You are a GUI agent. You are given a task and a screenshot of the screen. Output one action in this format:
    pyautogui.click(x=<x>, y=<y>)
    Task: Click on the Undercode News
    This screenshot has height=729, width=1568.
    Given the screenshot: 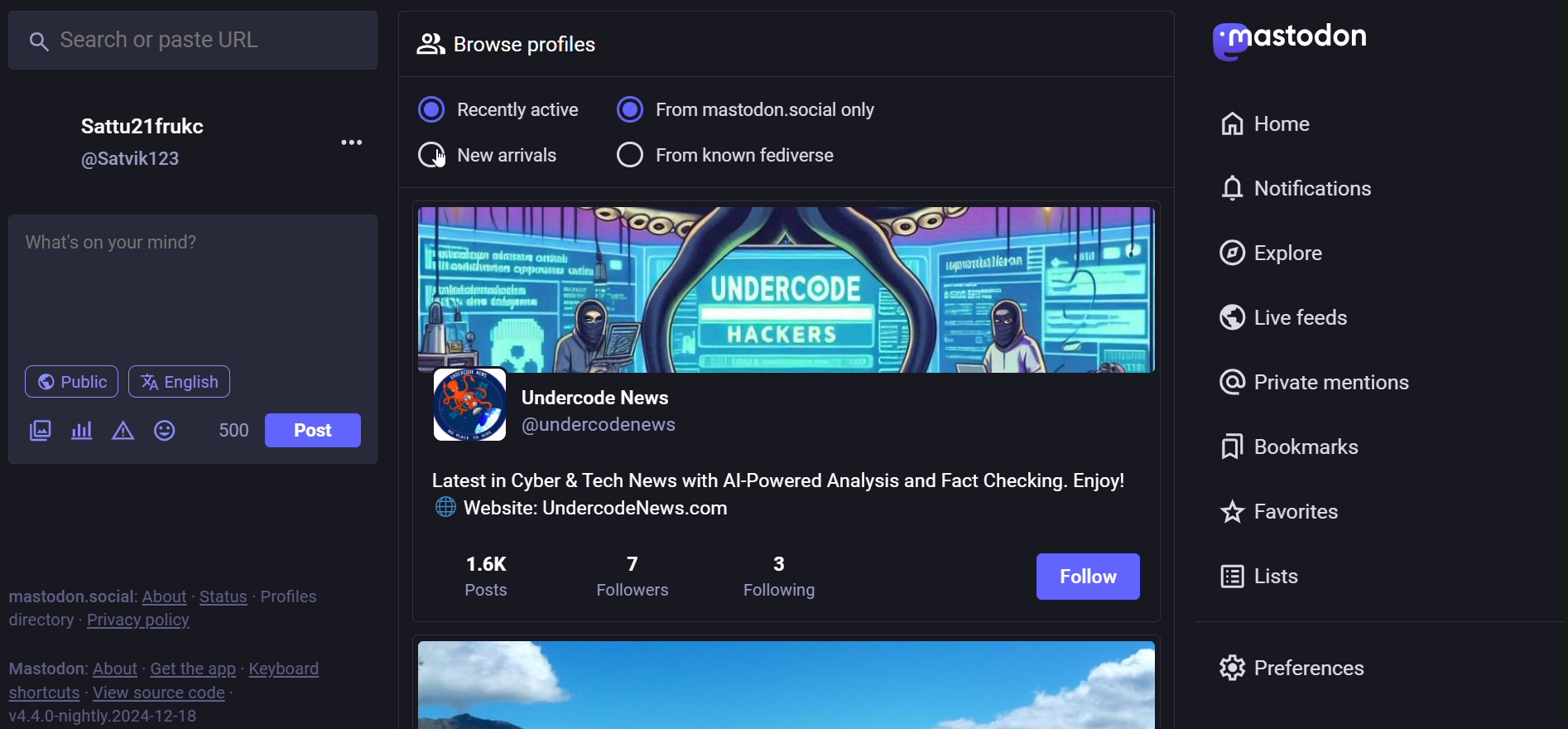 What is the action you would take?
    pyautogui.click(x=609, y=393)
    